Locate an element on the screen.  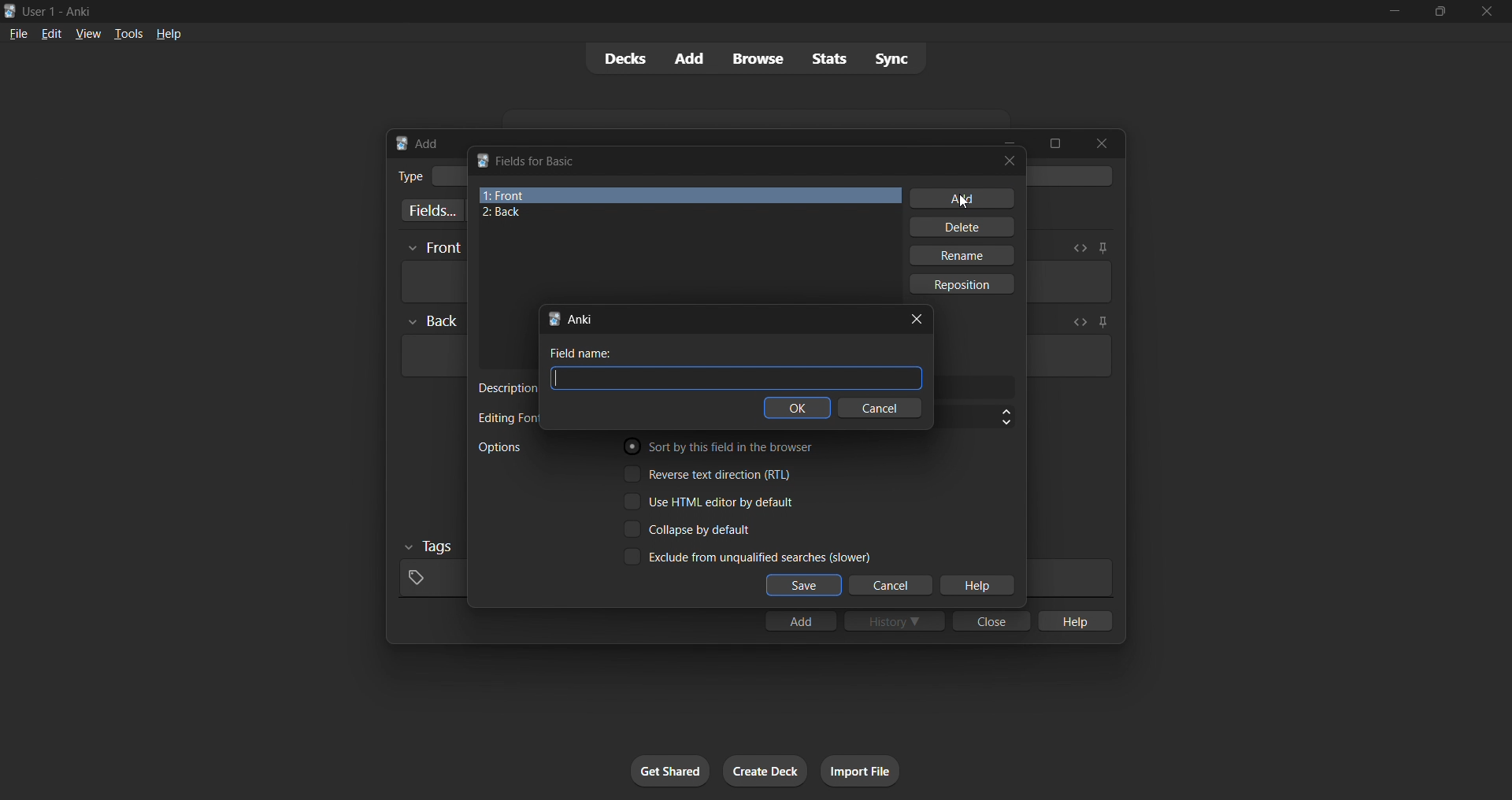
reposition is located at coordinates (964, 284).